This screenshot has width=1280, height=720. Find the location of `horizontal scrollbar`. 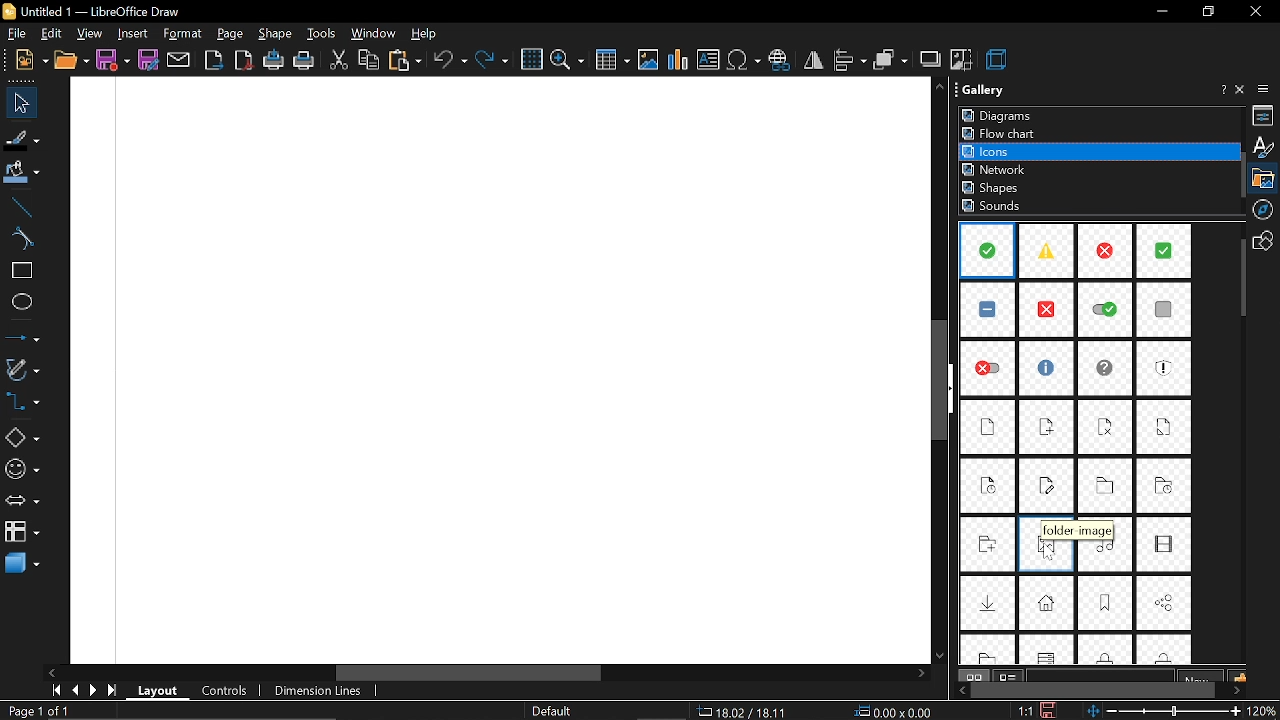

horizontal scrollbar is located at coordinates (630, 673).